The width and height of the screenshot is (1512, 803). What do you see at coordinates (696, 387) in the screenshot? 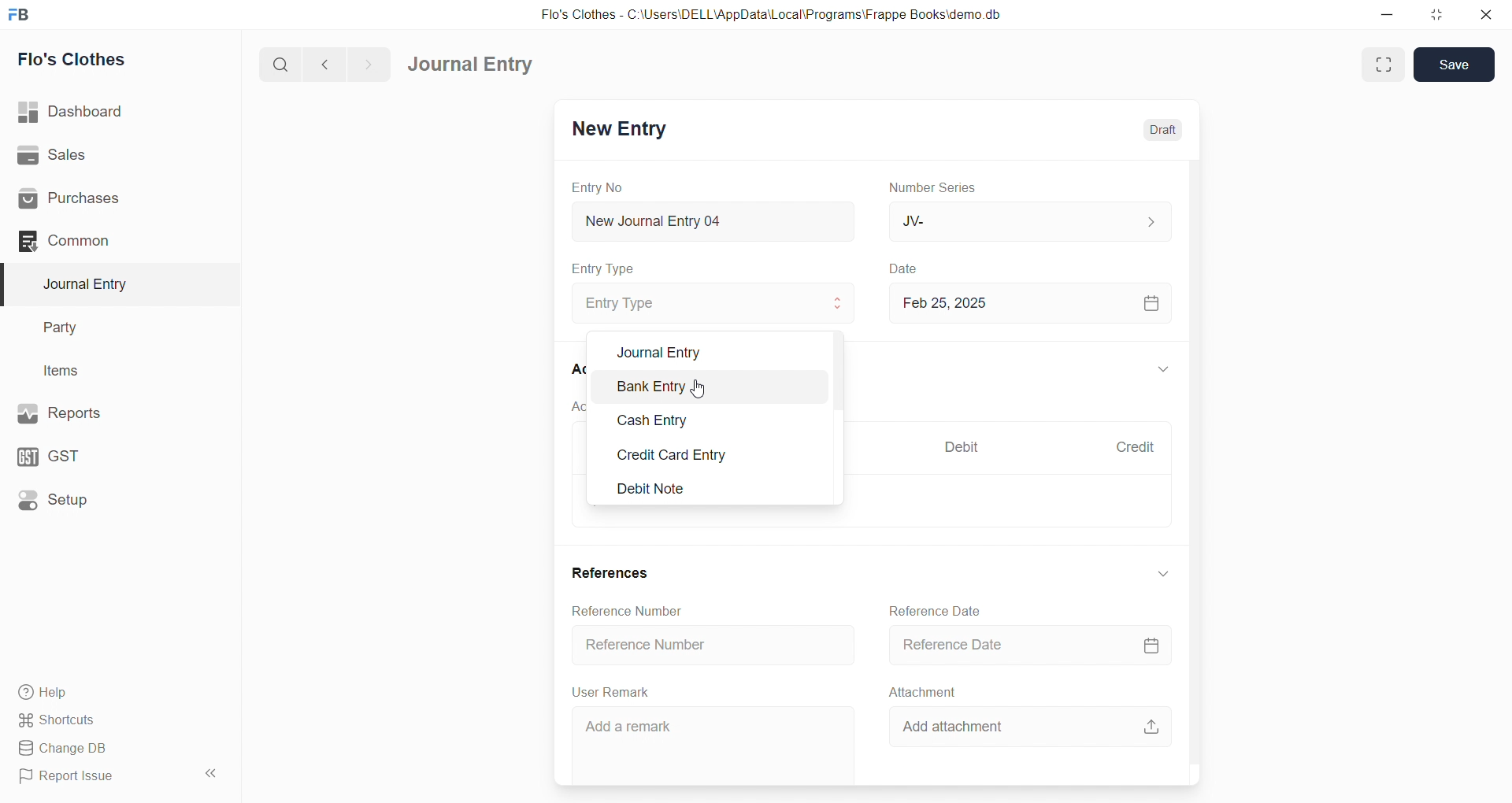
I see `cursor` at bounding box center [696, 387].